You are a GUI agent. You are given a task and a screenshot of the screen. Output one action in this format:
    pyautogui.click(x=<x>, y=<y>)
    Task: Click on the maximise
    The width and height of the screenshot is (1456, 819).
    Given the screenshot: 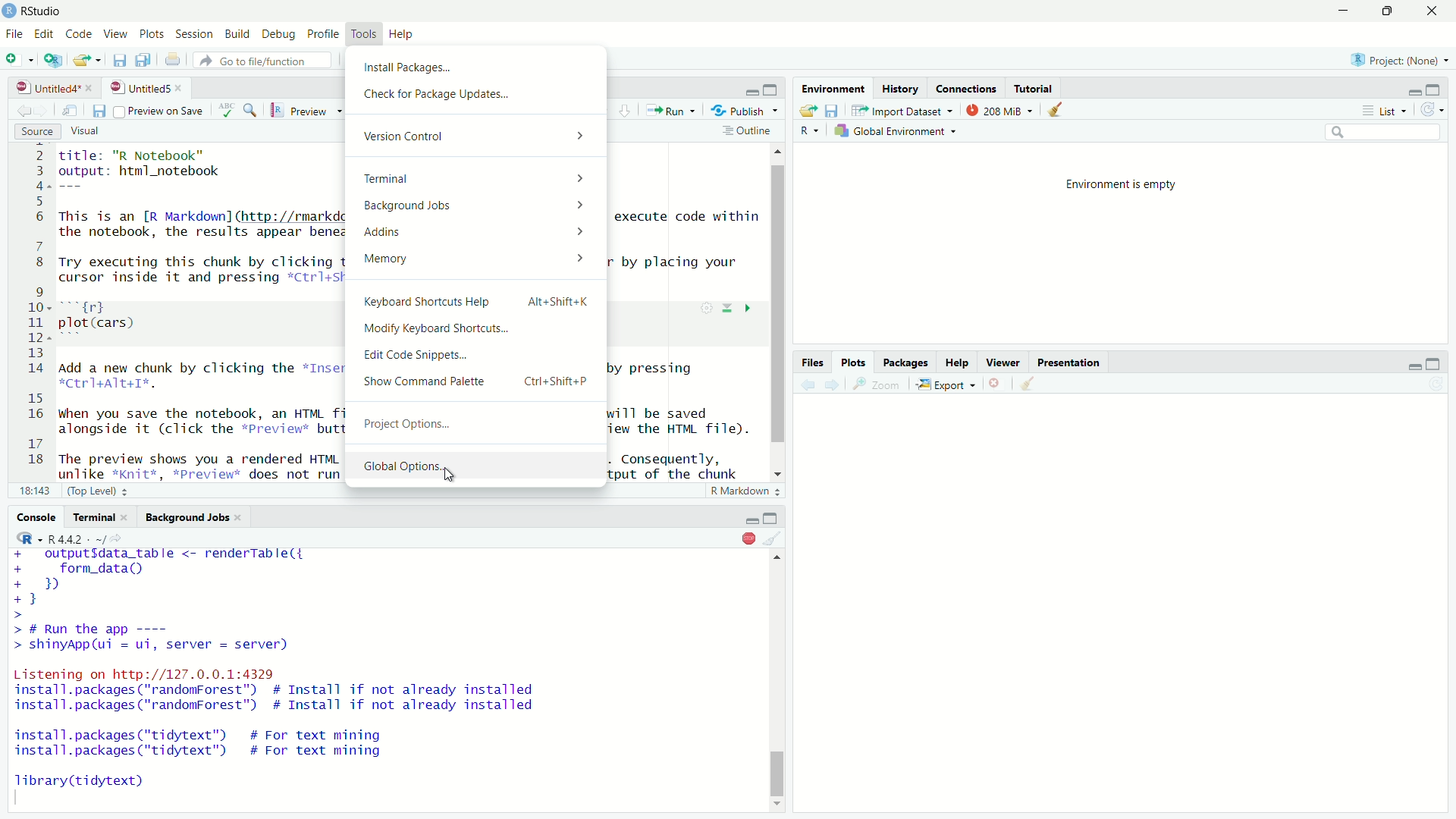 What is the action you would take?
    pyautogui.click(x=1385, y=11)
    